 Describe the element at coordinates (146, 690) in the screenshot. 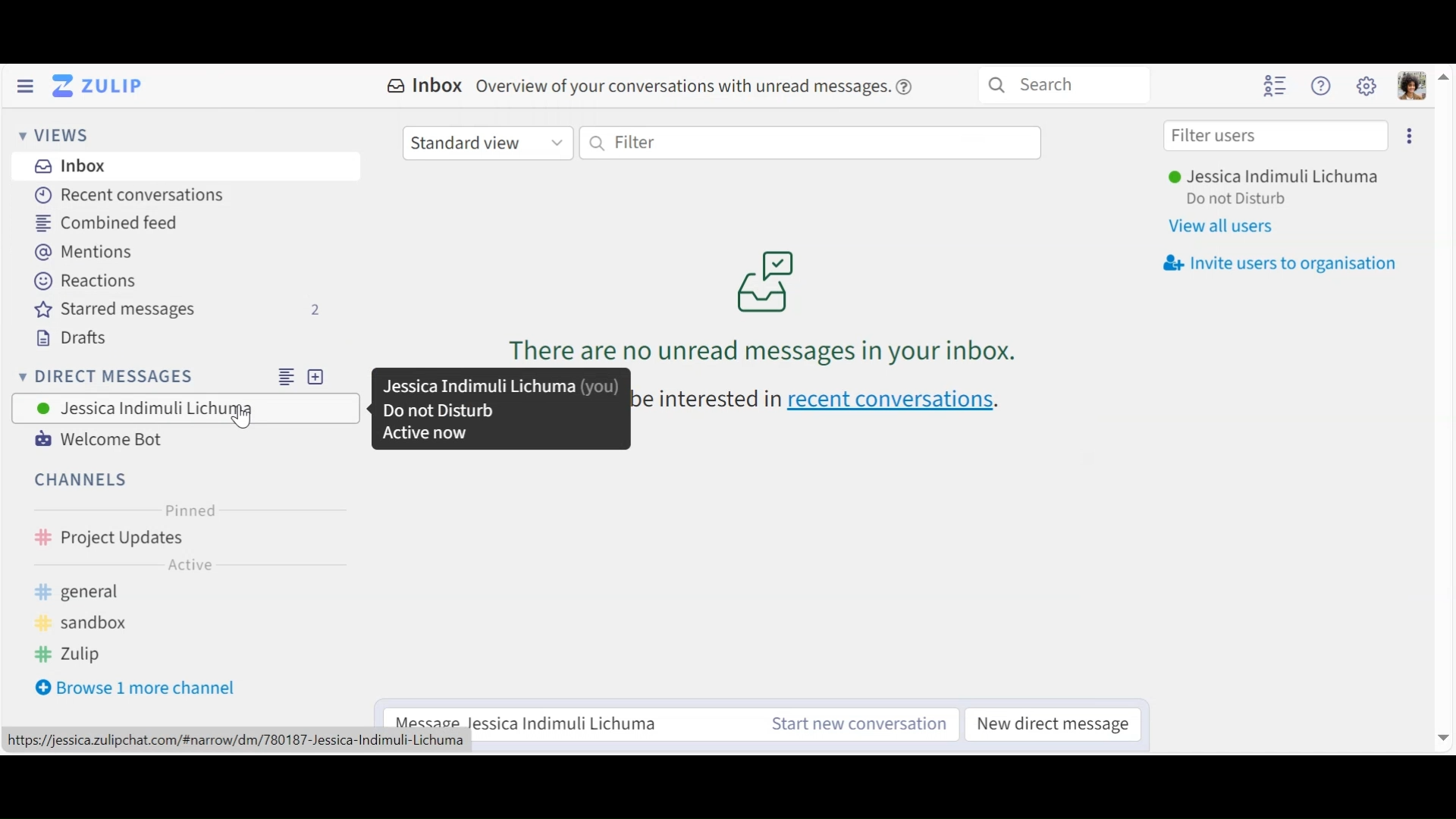

I see `Browse more channel` at that location.